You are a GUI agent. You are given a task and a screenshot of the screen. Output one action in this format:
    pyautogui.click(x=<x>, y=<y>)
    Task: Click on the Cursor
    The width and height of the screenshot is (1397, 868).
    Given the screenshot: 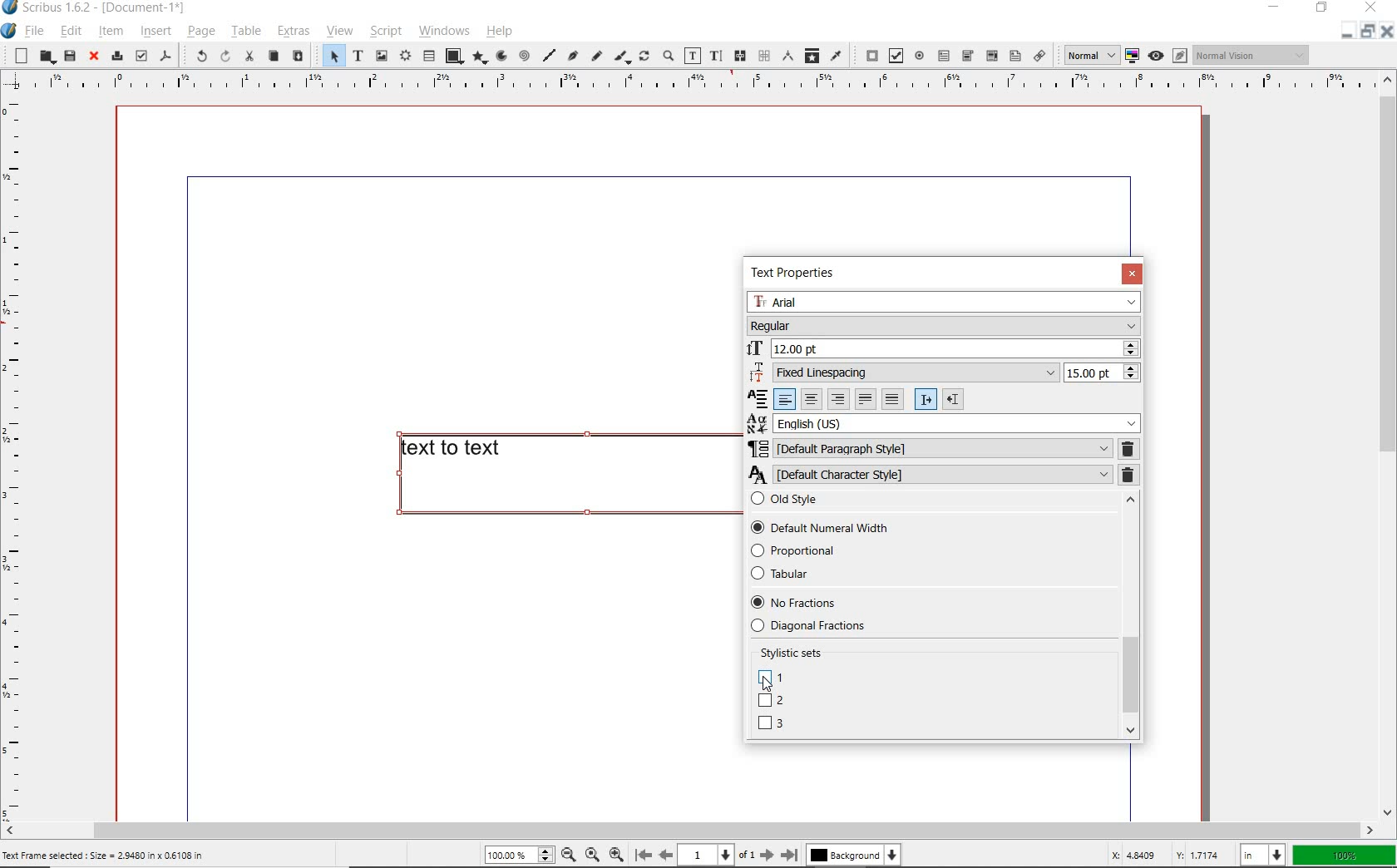 What is the action you would take?
    pyautogui.click(x=766, y=684)
    